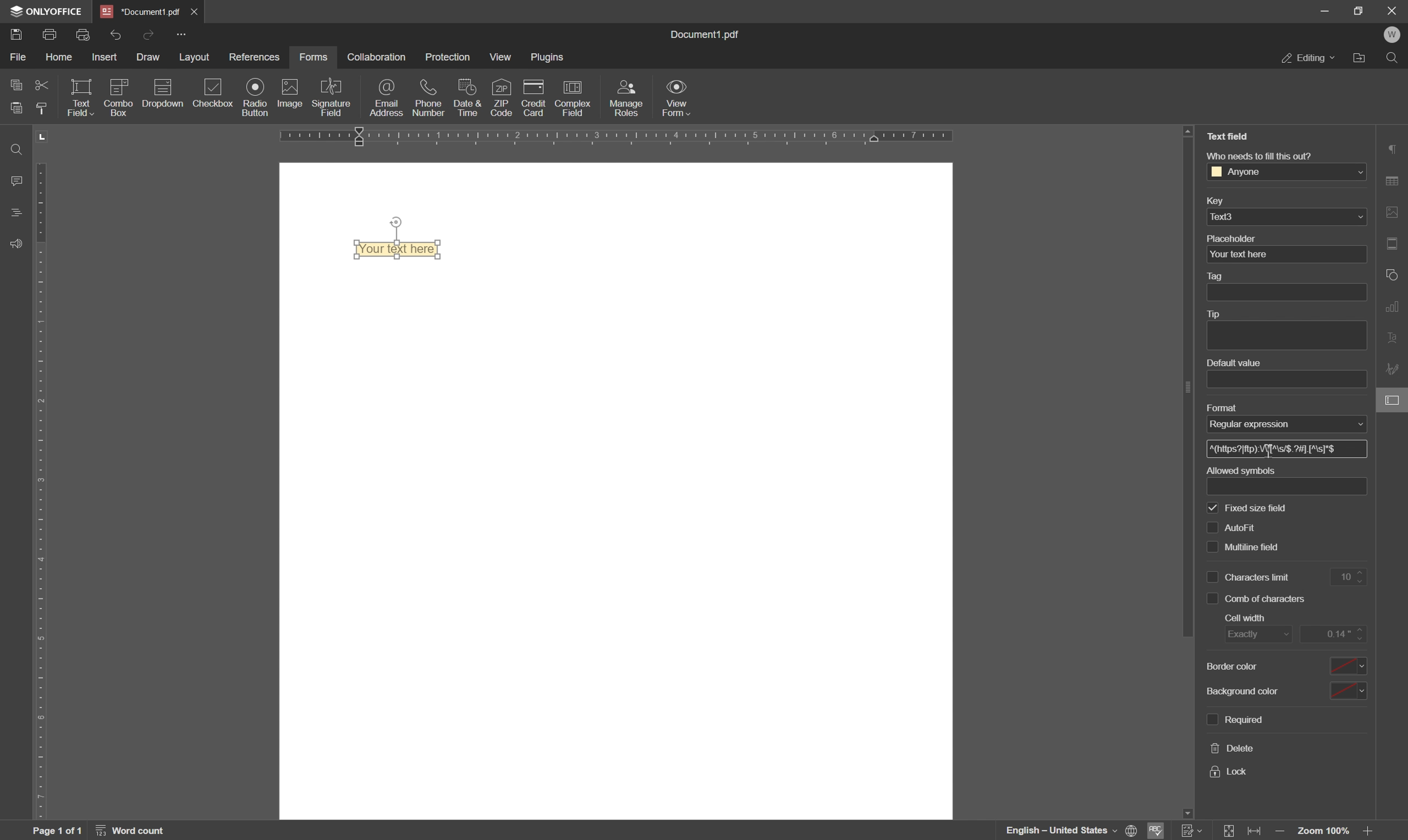 The height and width of the screenshot is (840, 1408). Describe the element at coordinates (63, 59) in the screenshot. I see `home` at that location.